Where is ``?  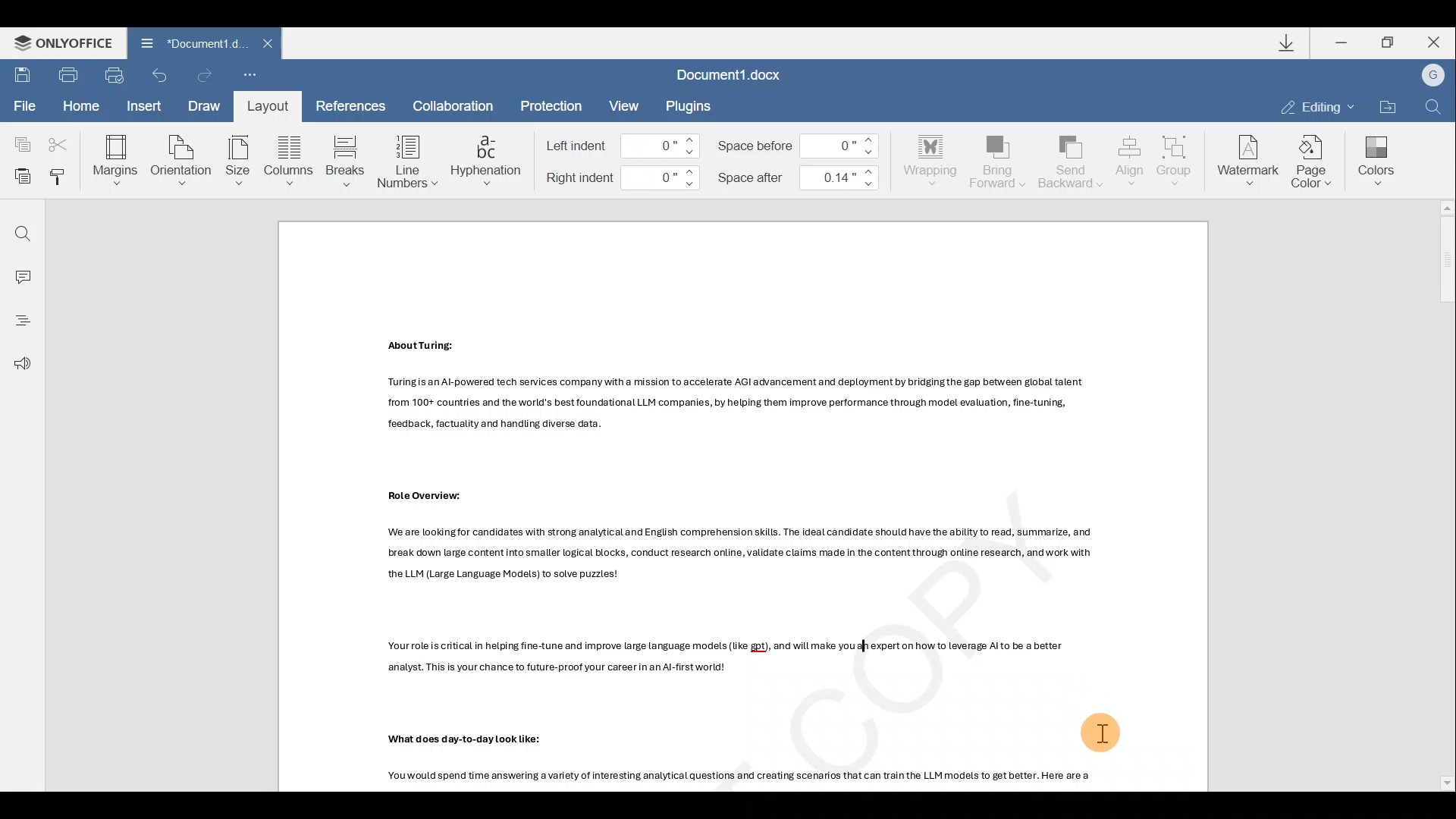
 is located at coordinates (463, 739).